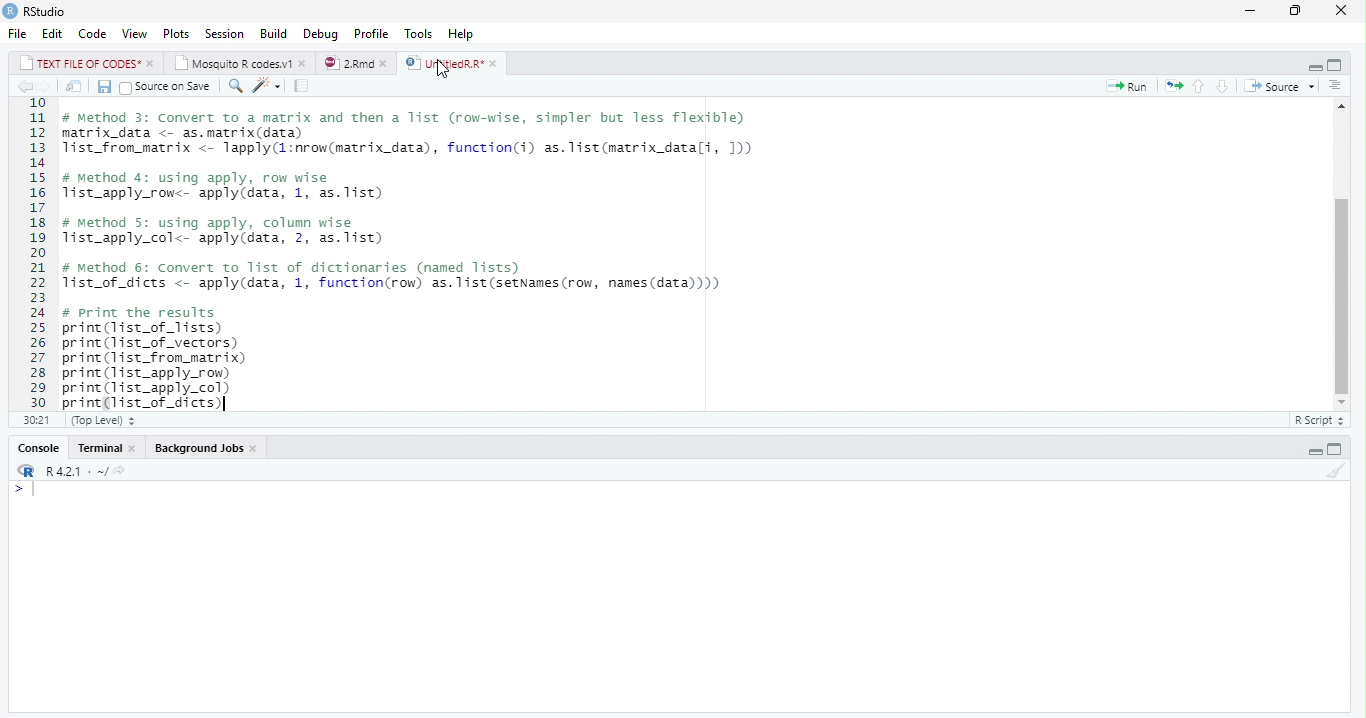 The height and width of the screenshot is (718, 1366). What do you see at coordinates (409, 117) in the screenshot?
I see `# Method 3: Convert to a matrix and then a 11st (row-wise, simpler but less Tlexible)` at bounding box center [409, 117].